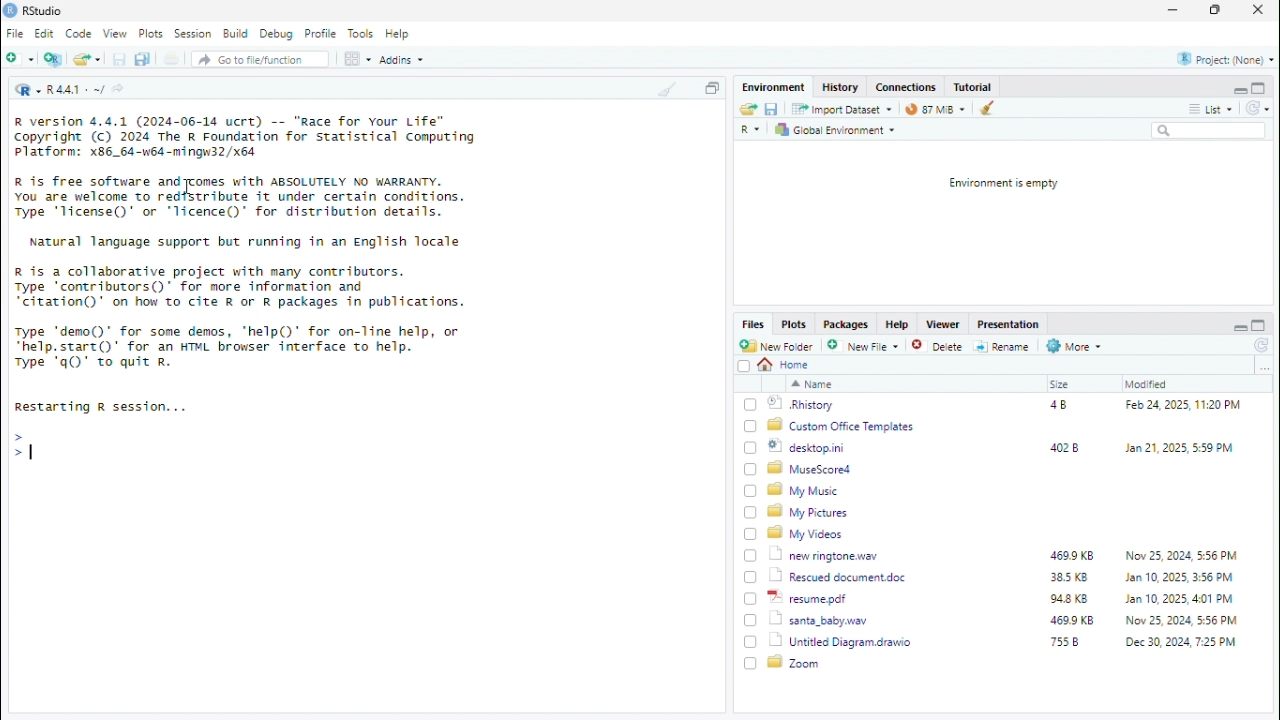 The image size is (1280, 720). Describe the element at coordinates (194, 33) in the screenshot. I see `Session` at that location.